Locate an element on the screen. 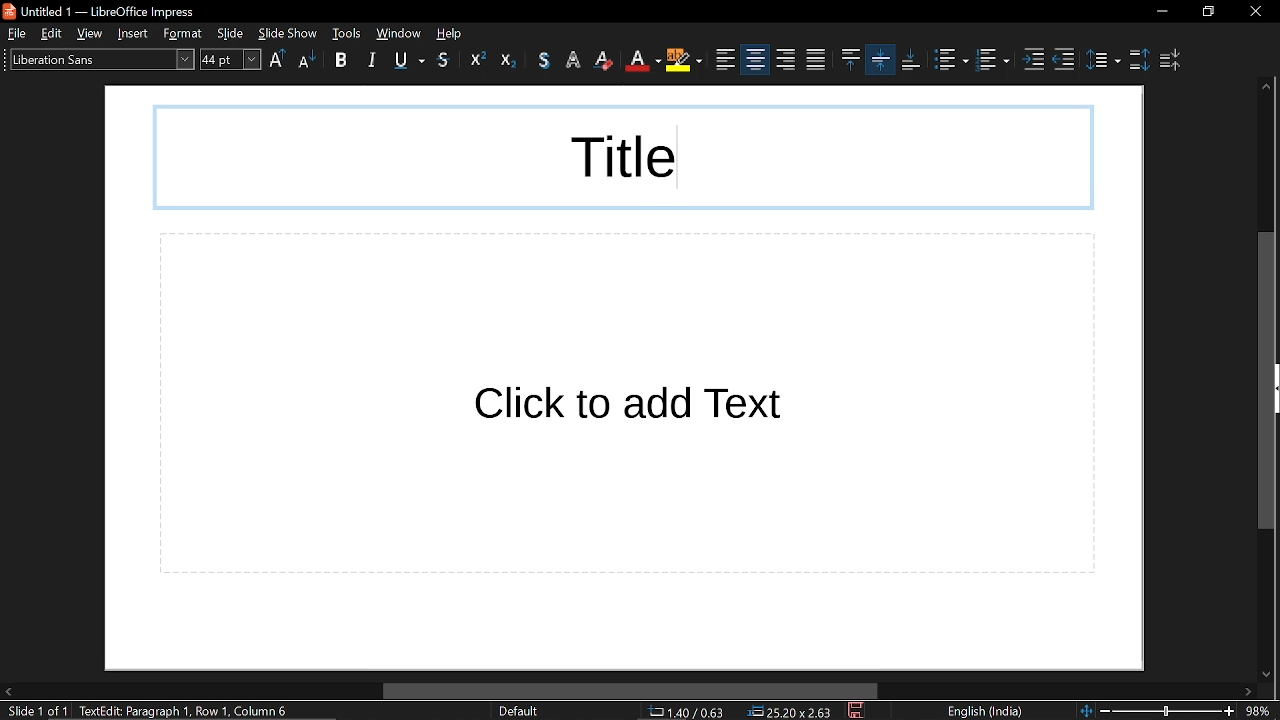 This screenshot has height=720, width=1280. format is located at coordinates (186, 34).